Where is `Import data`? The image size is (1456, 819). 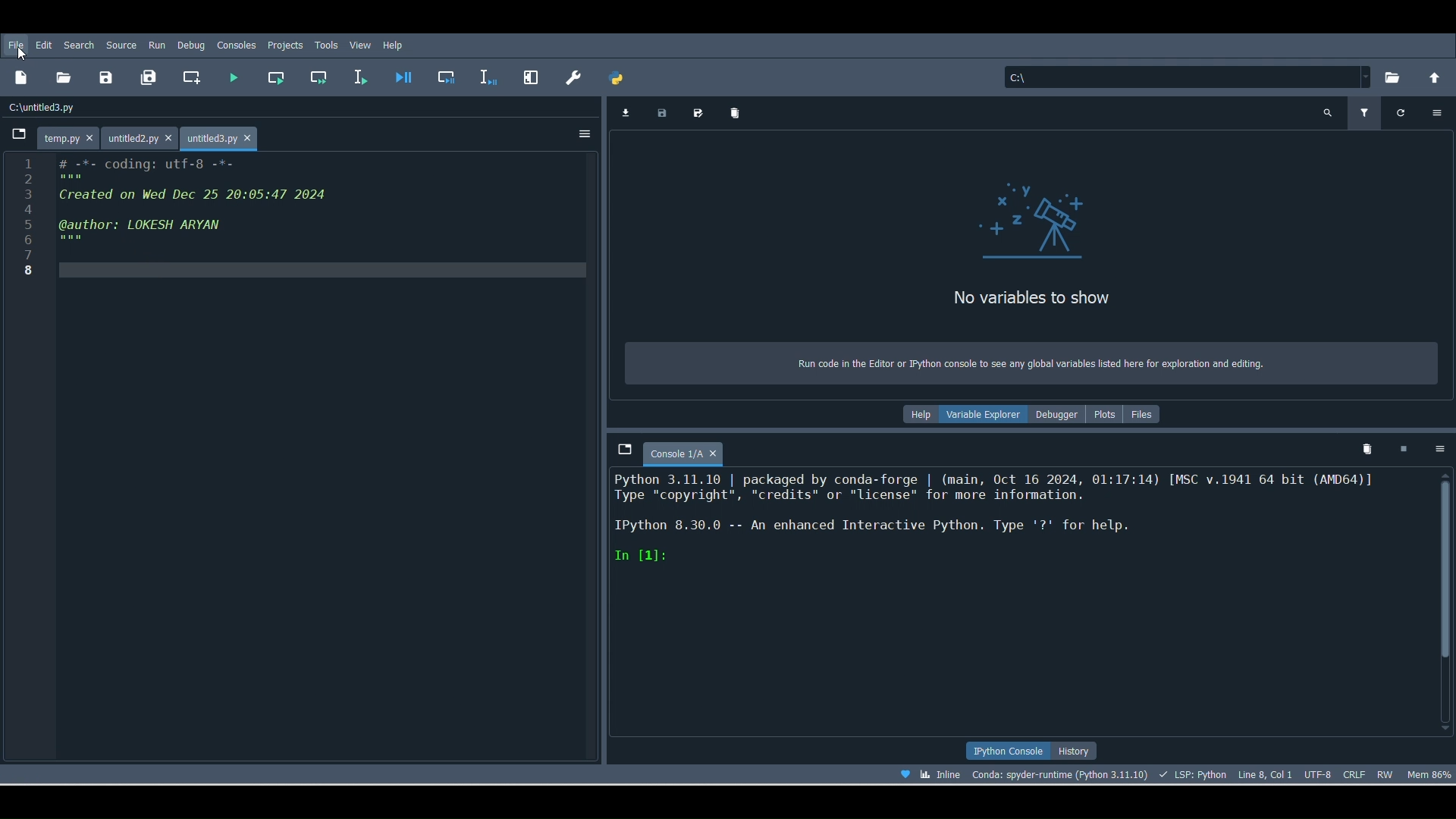 Import data is located at coordinates (625, 113).